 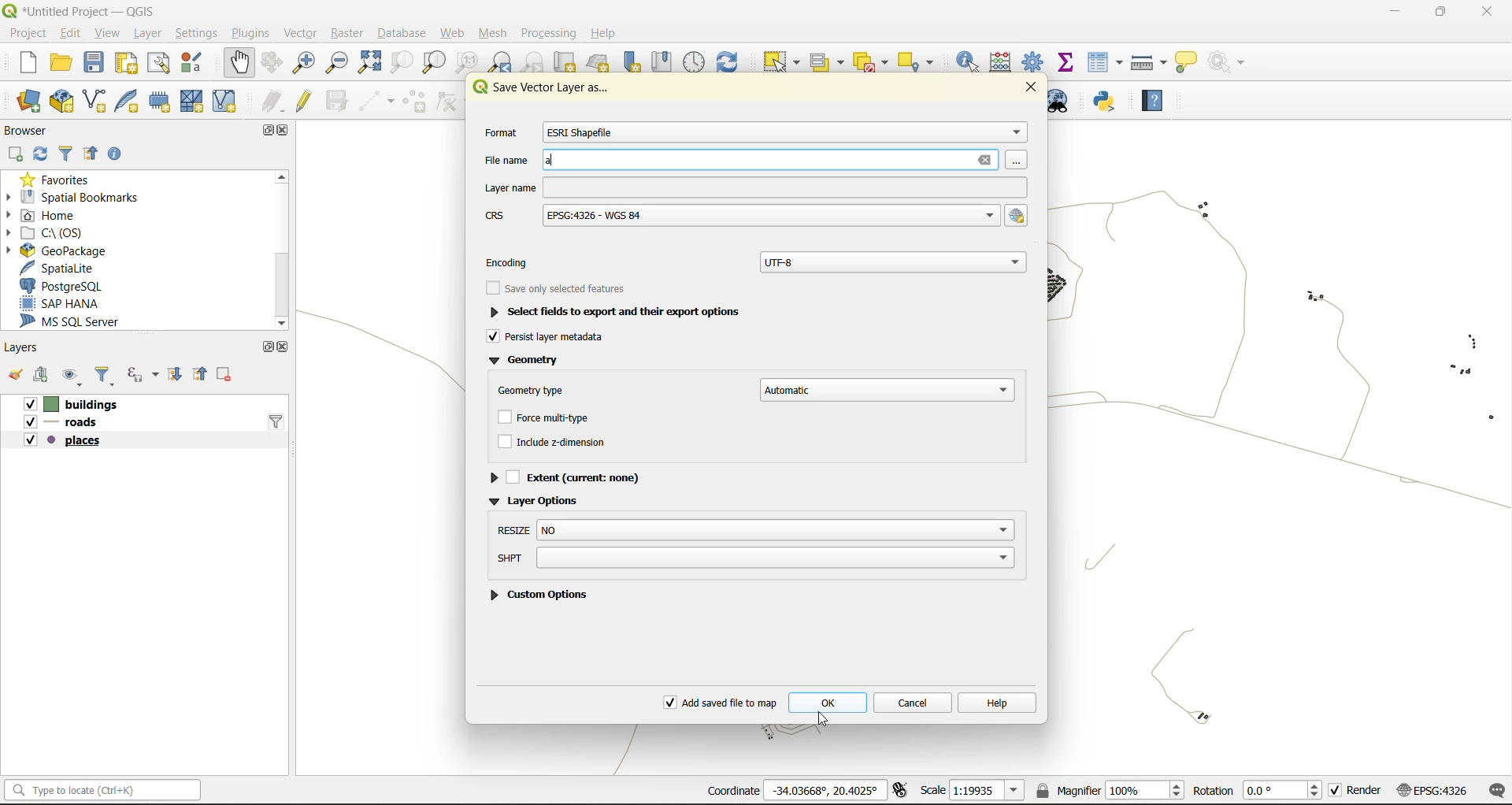 What do you see at coordinates (74, 195) in the screenshot?
I see `spatial bookmarks` at bounding box center [74, 195].